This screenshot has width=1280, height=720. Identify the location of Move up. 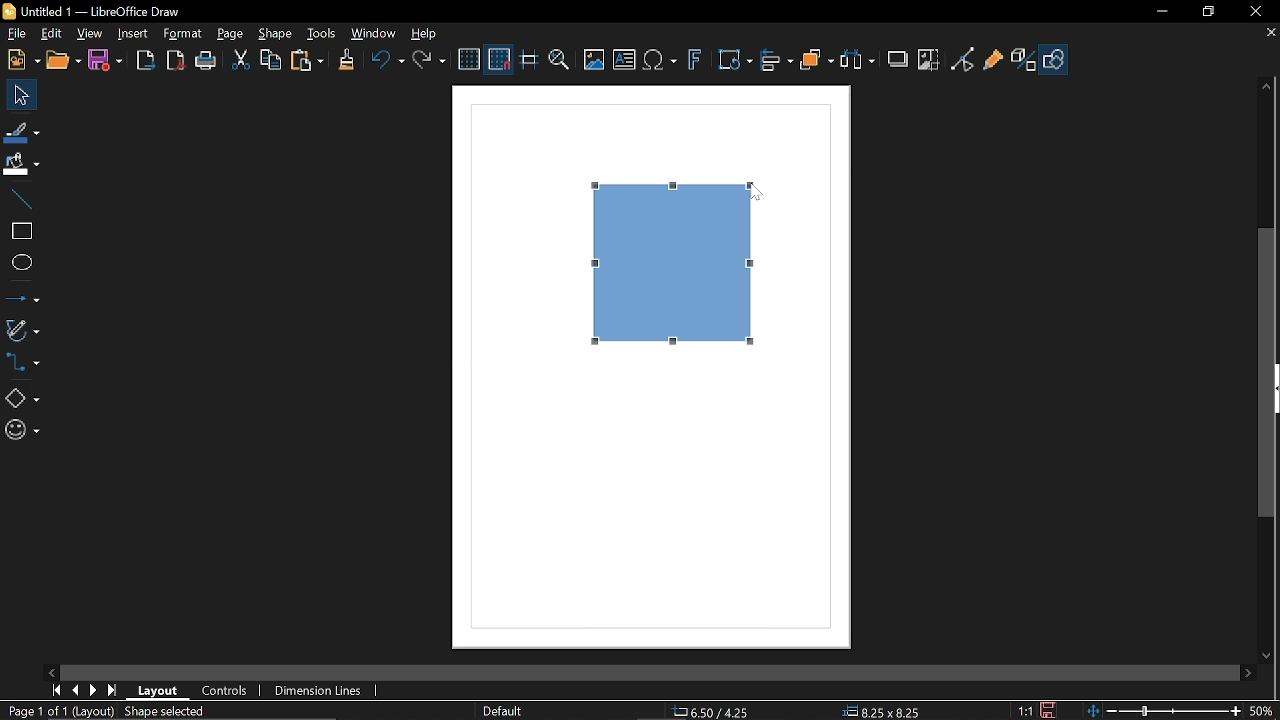
(1264, 83).